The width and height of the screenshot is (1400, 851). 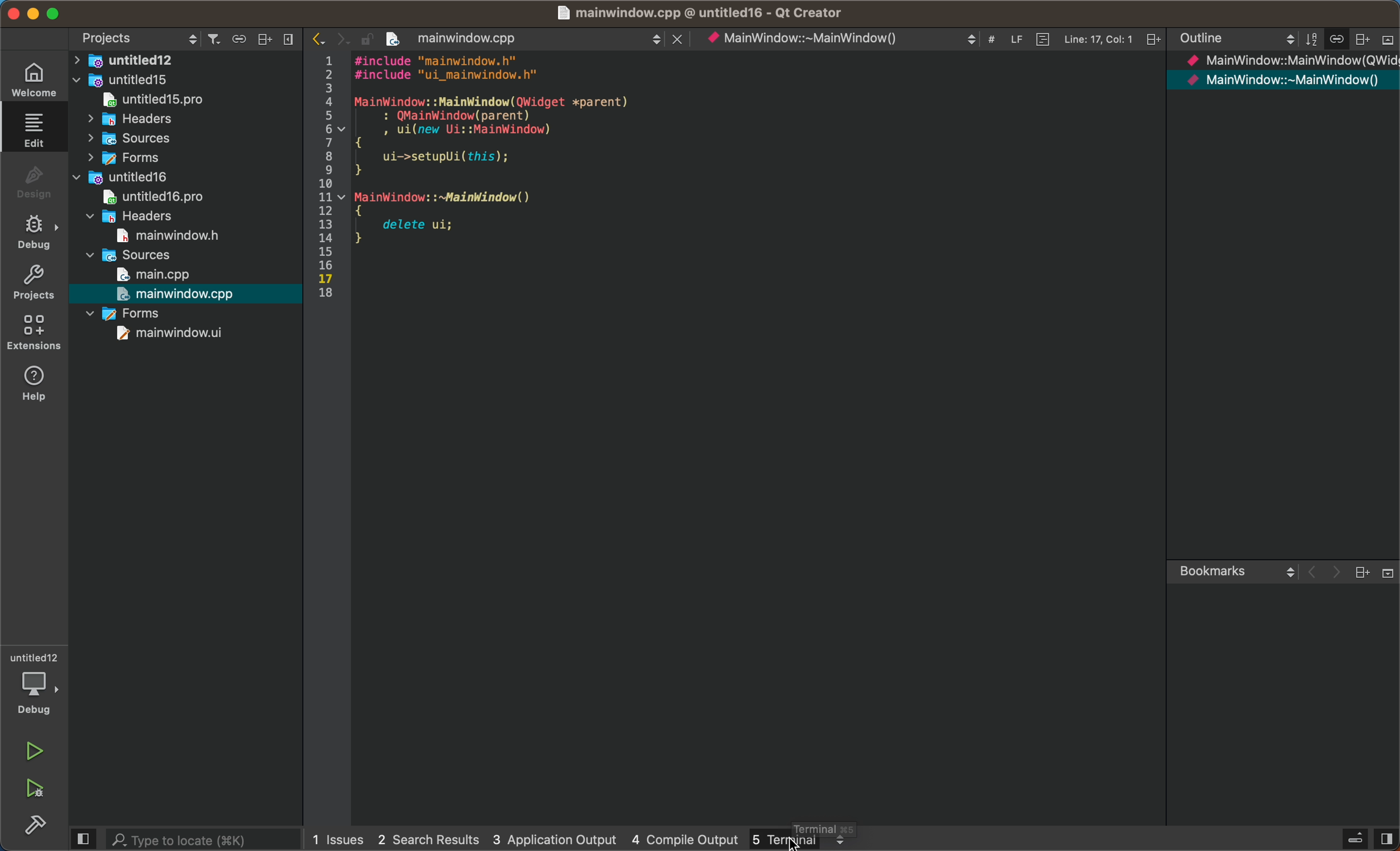 I want to click on build, so click(x=32, y=825).